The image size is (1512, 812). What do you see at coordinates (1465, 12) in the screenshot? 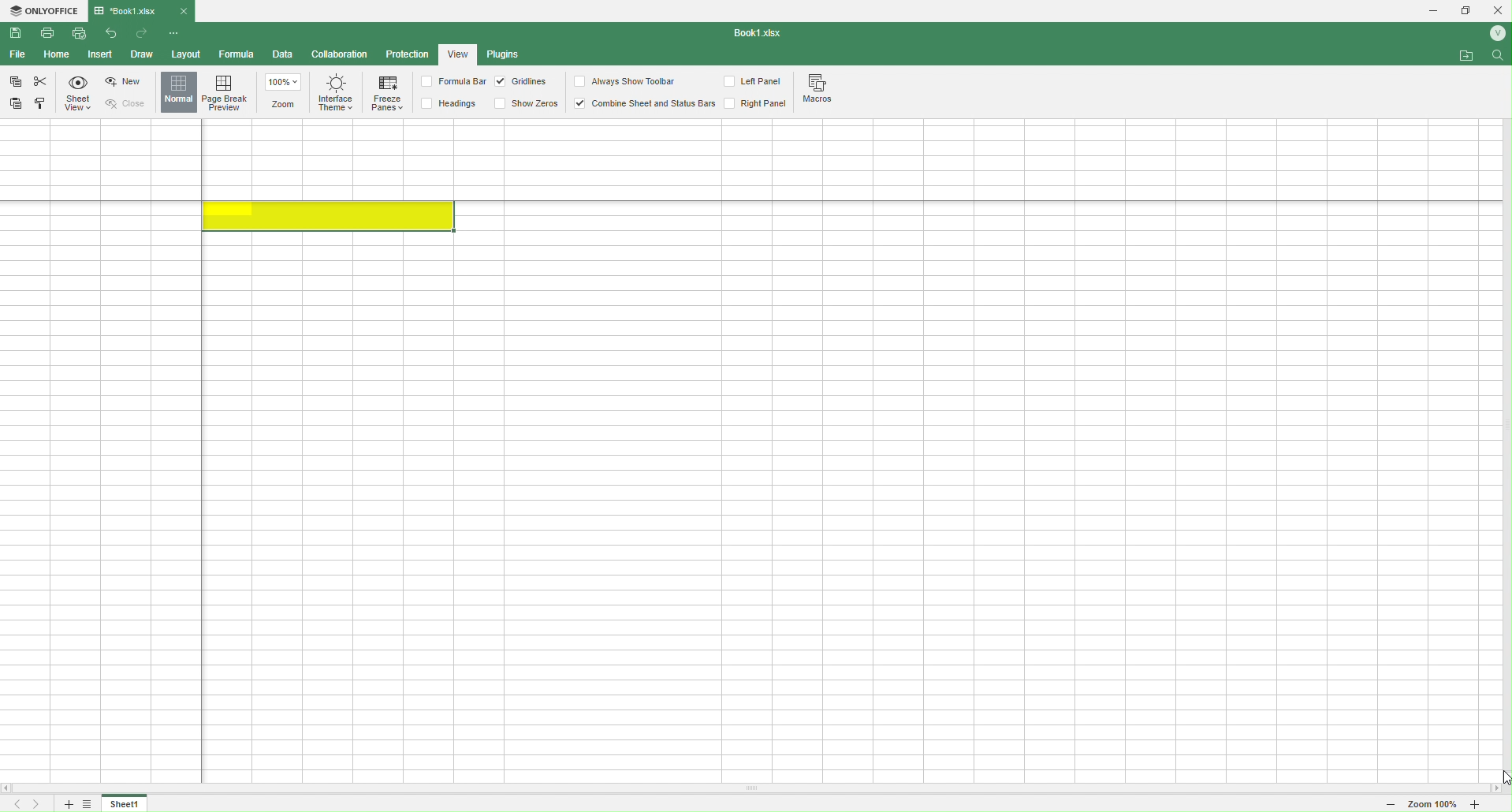
I see `Restore down` at bounding box center [1465, 12].